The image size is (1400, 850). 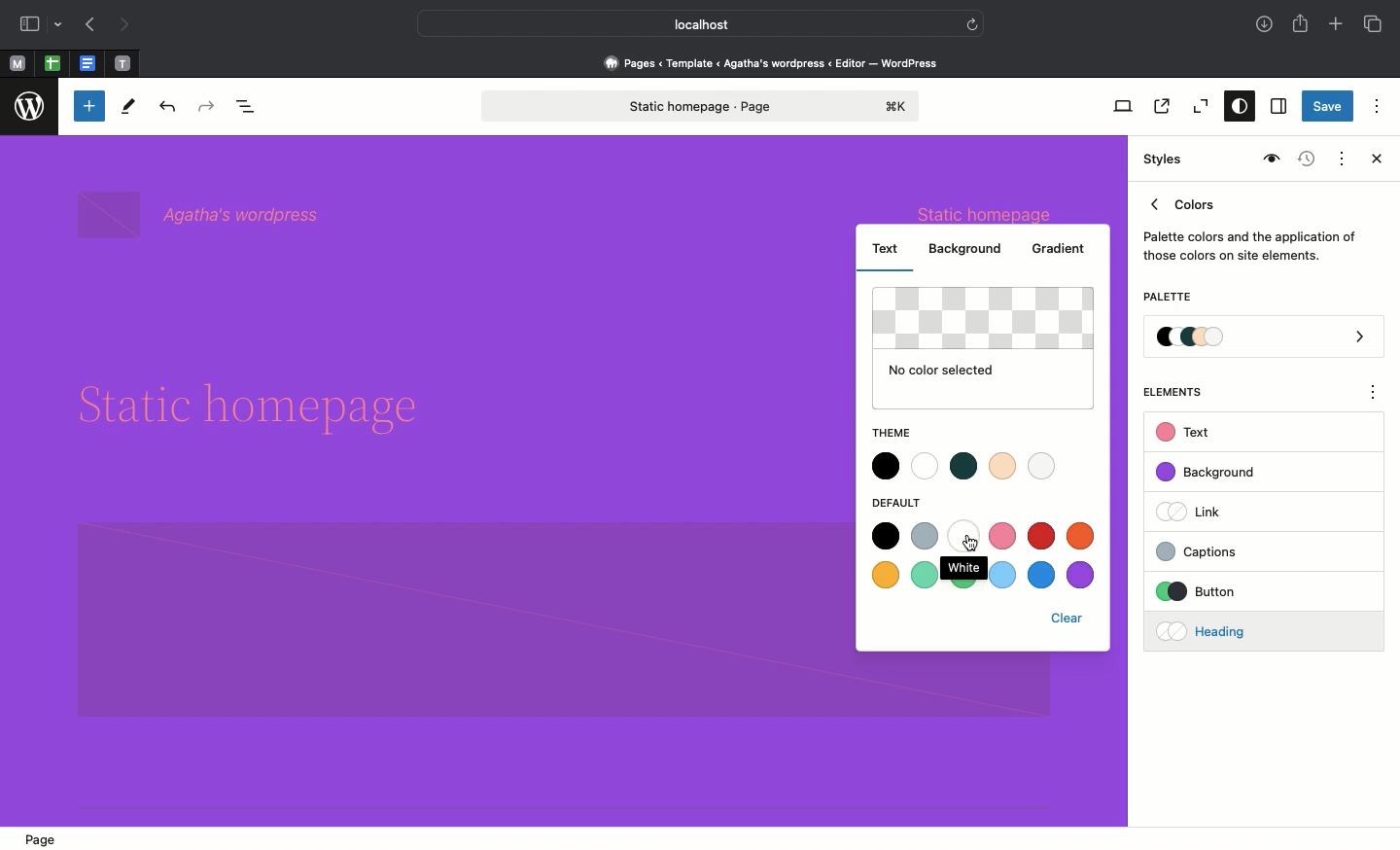 What do you see at coordinates (1183, 392) in the screenshot?
I see `Elements` at bounding box center [1183, 392].